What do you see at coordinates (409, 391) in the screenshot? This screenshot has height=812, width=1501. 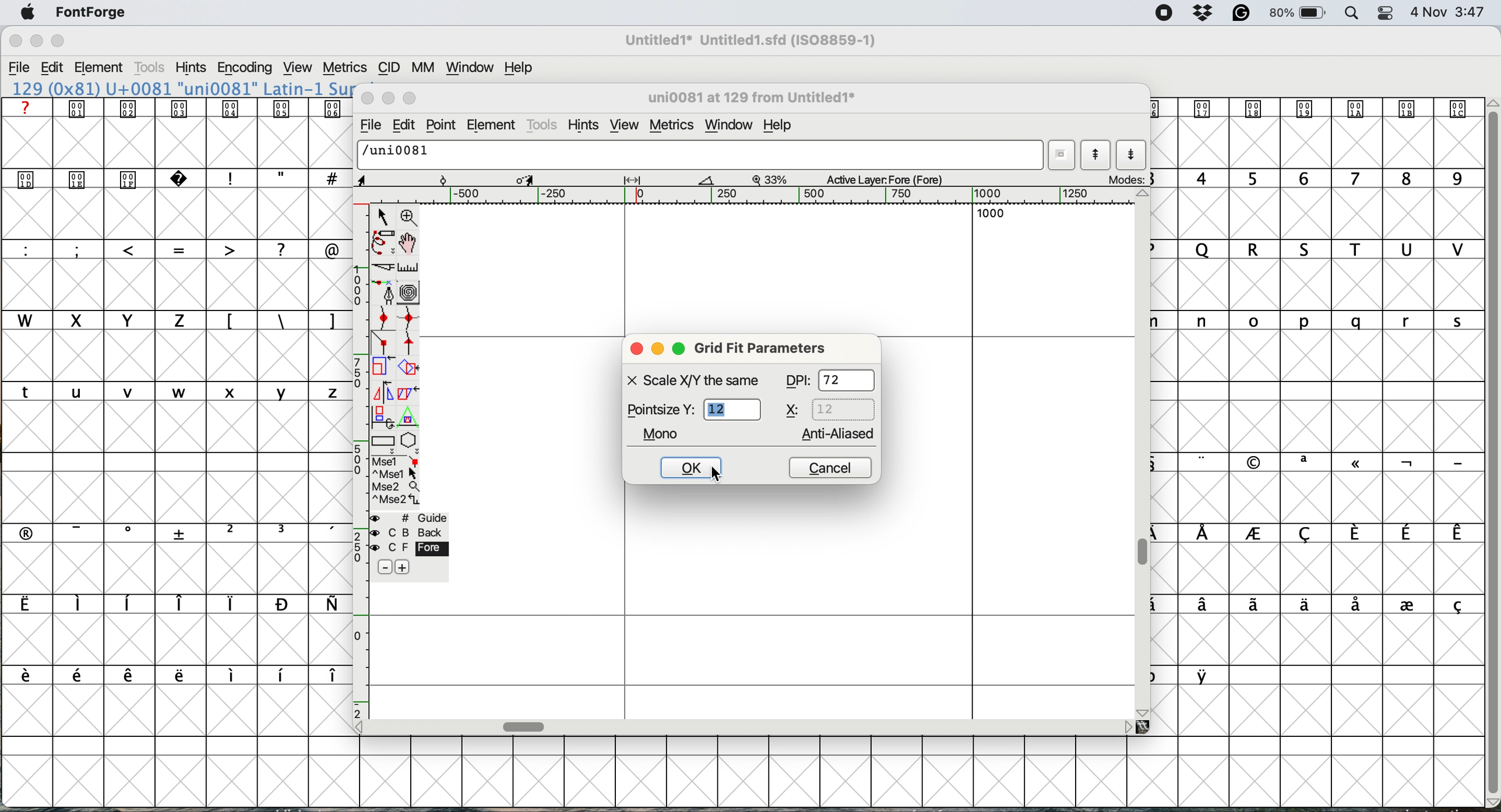 I see `skew the selection` at bounding box center [409, 391].